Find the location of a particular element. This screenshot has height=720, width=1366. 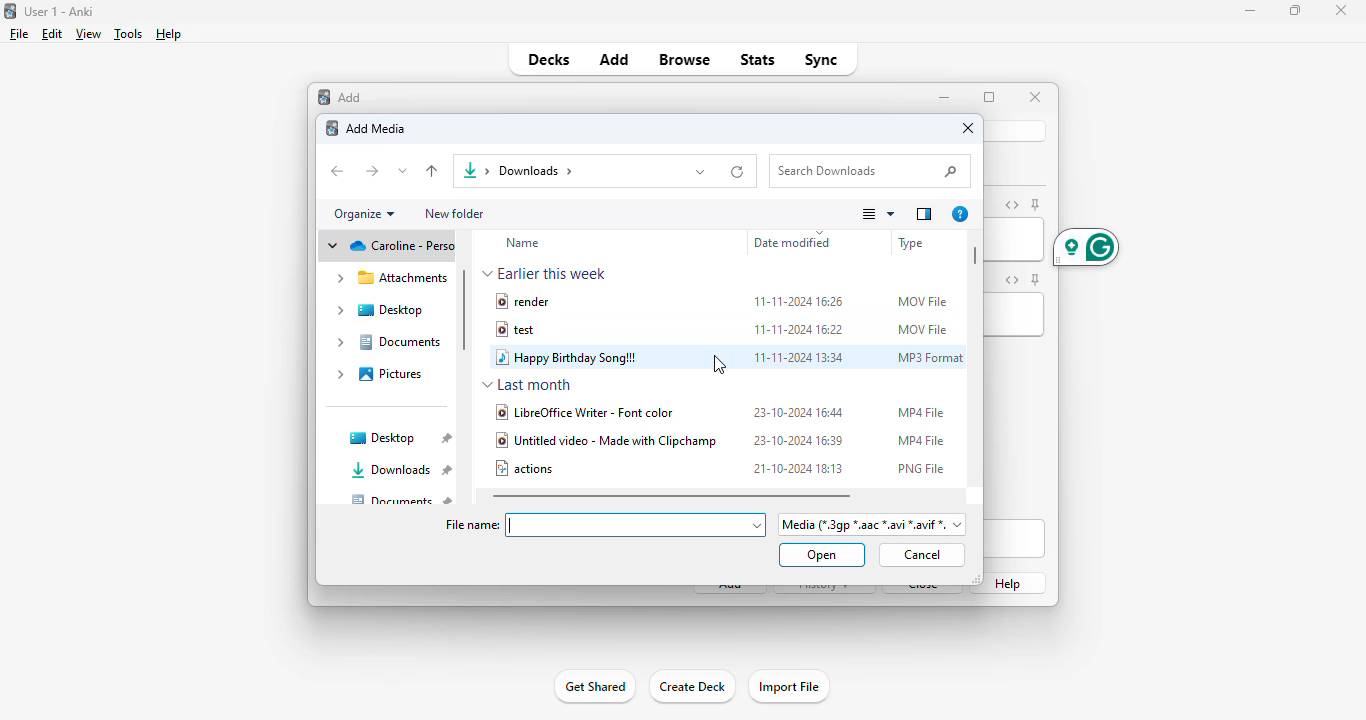

MP3 format is located at coordinates (930, 357).